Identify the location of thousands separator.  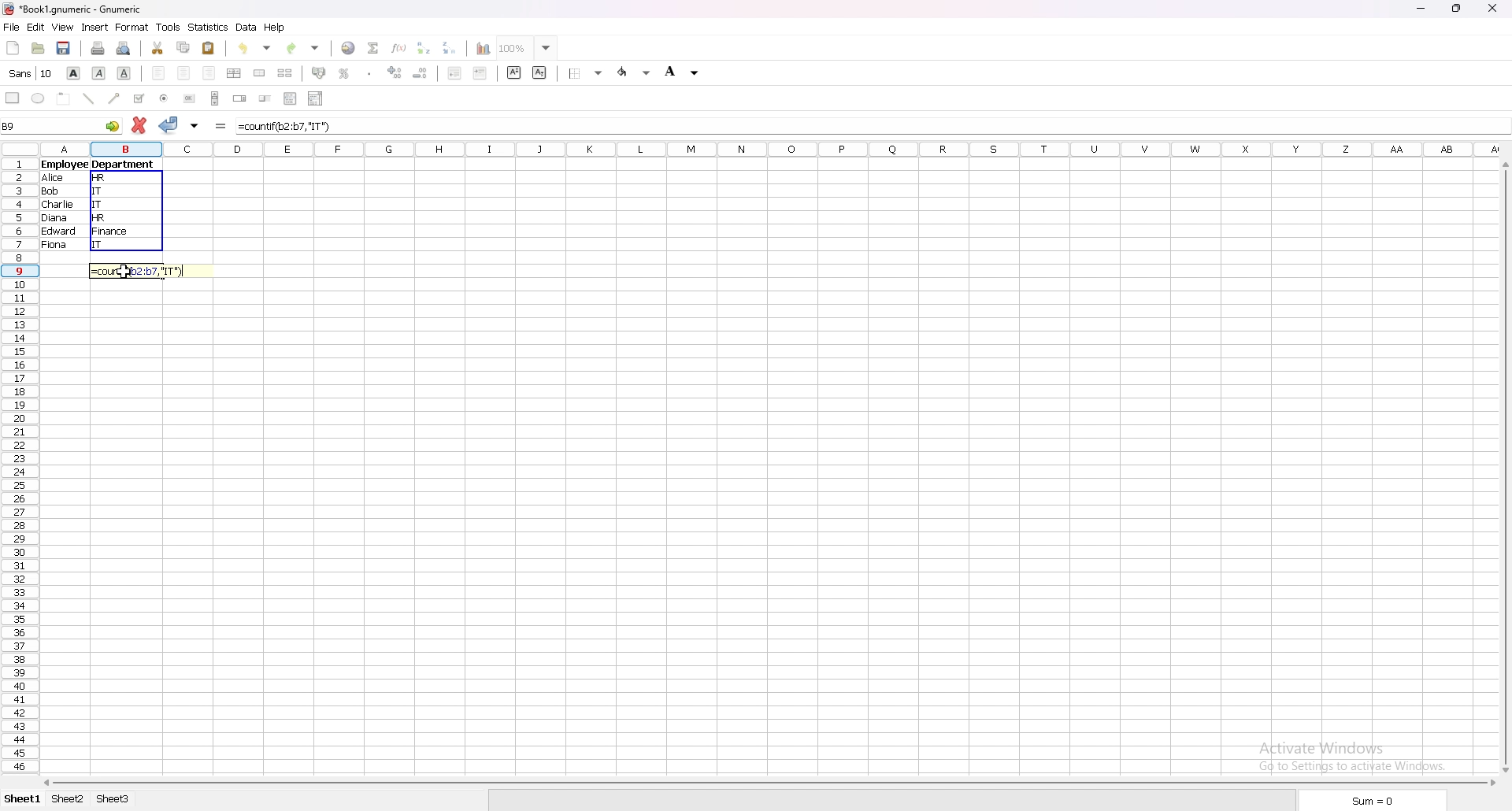
(369, 72).